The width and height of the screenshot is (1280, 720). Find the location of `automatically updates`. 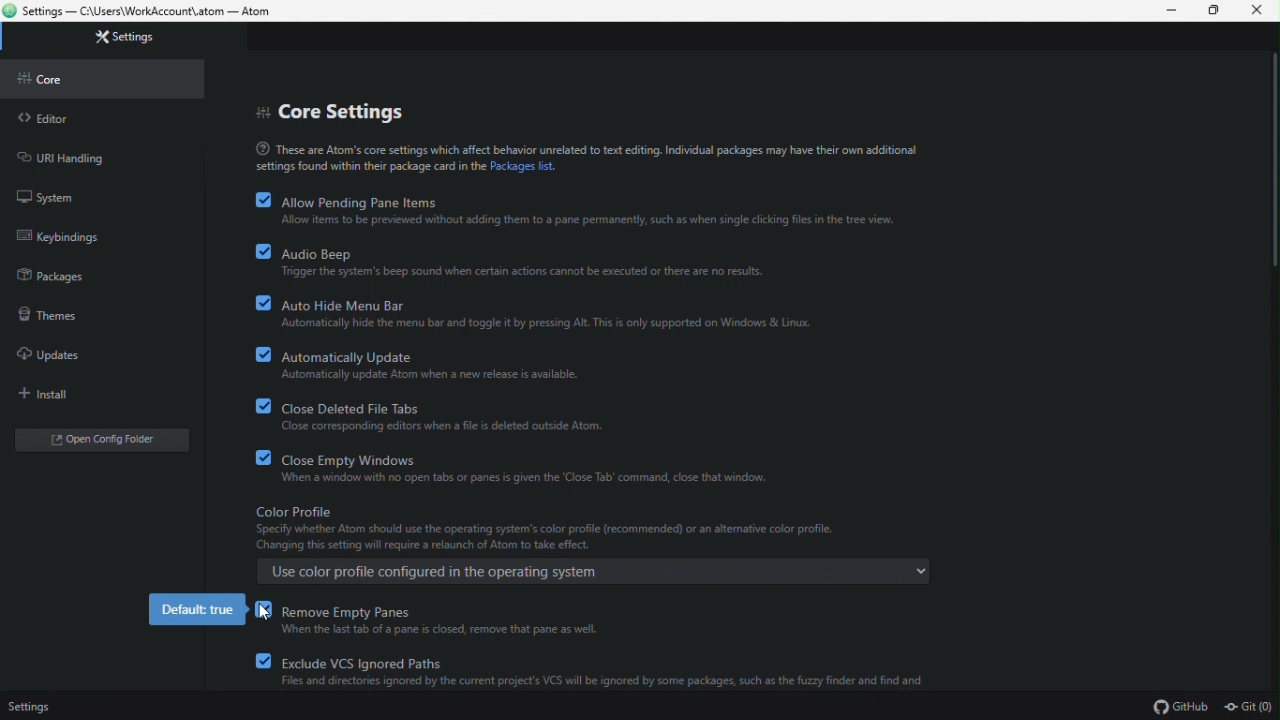

automatically updates is located at coordinates (436, 364).